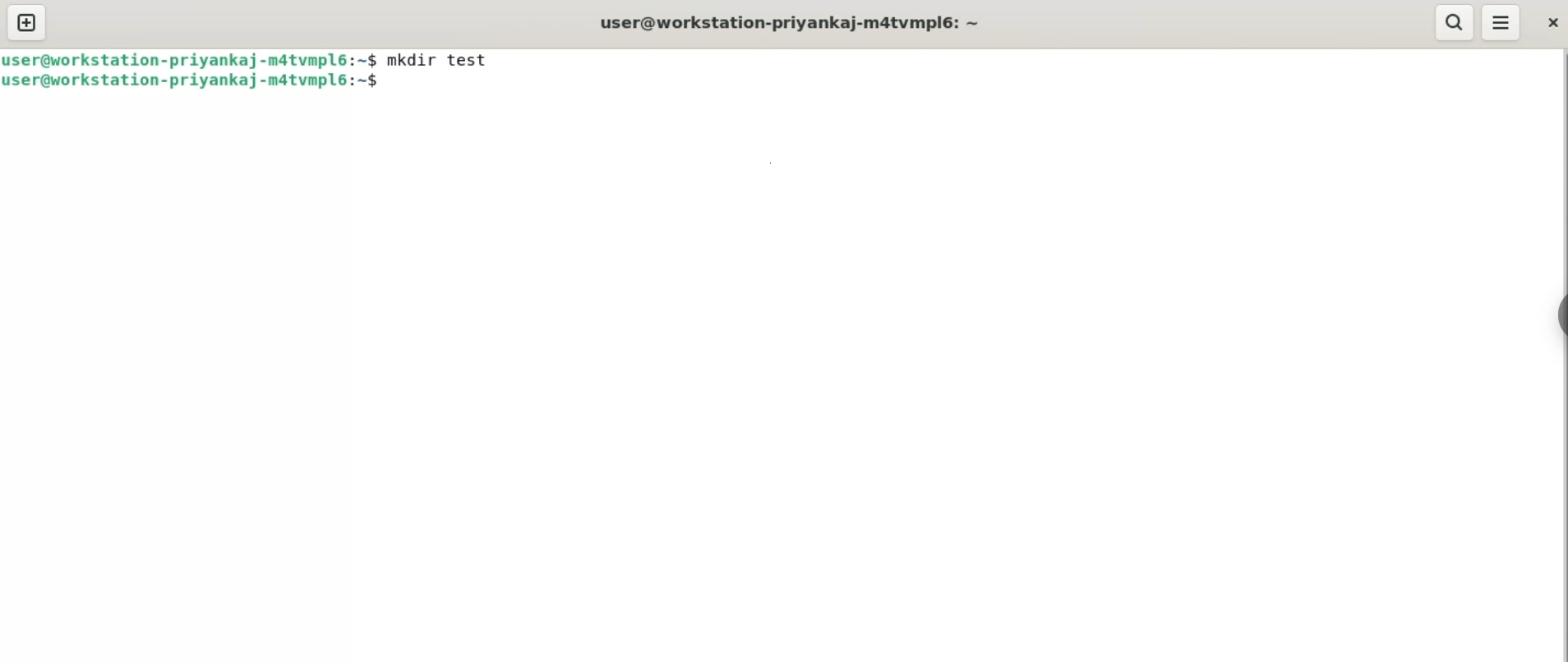  What do you see at coordinates (445, 60) in the screenshot?
I see `mkdir test` at bounding box center [445, 60].